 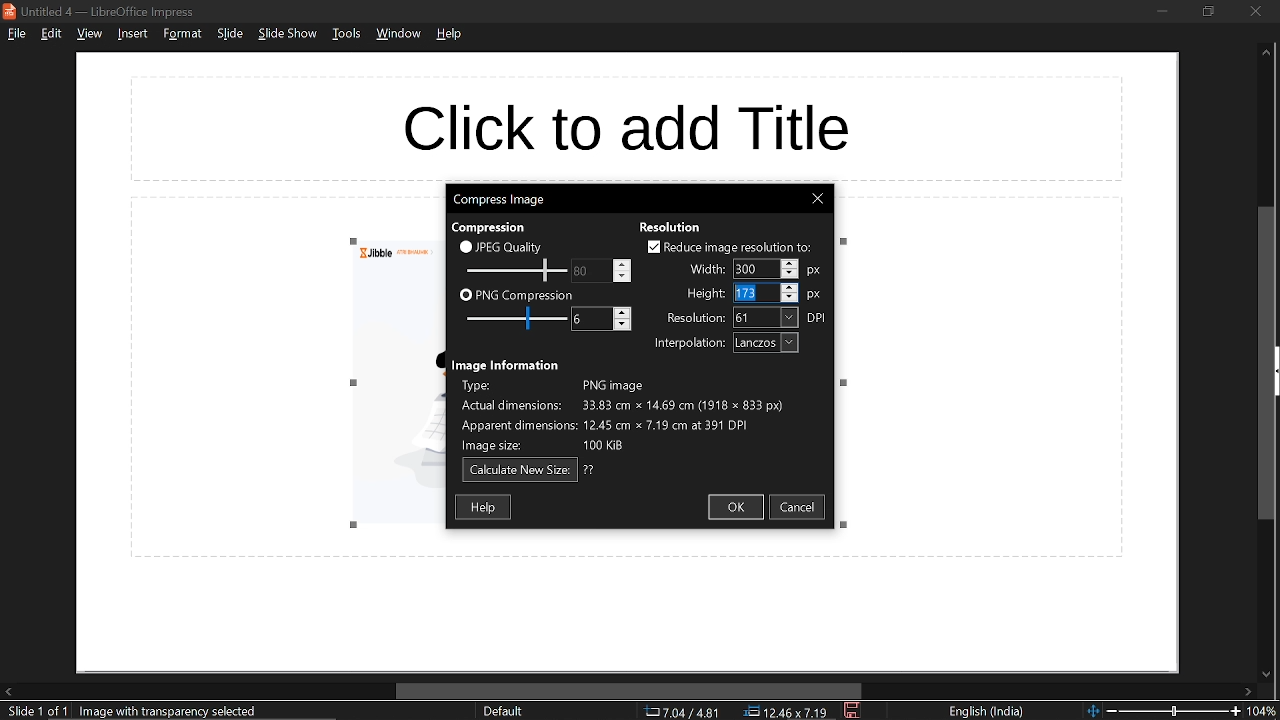 What do you see at coordinates (989, 712) in the screenshot?
I see `language` at bounding box center [989, 712].